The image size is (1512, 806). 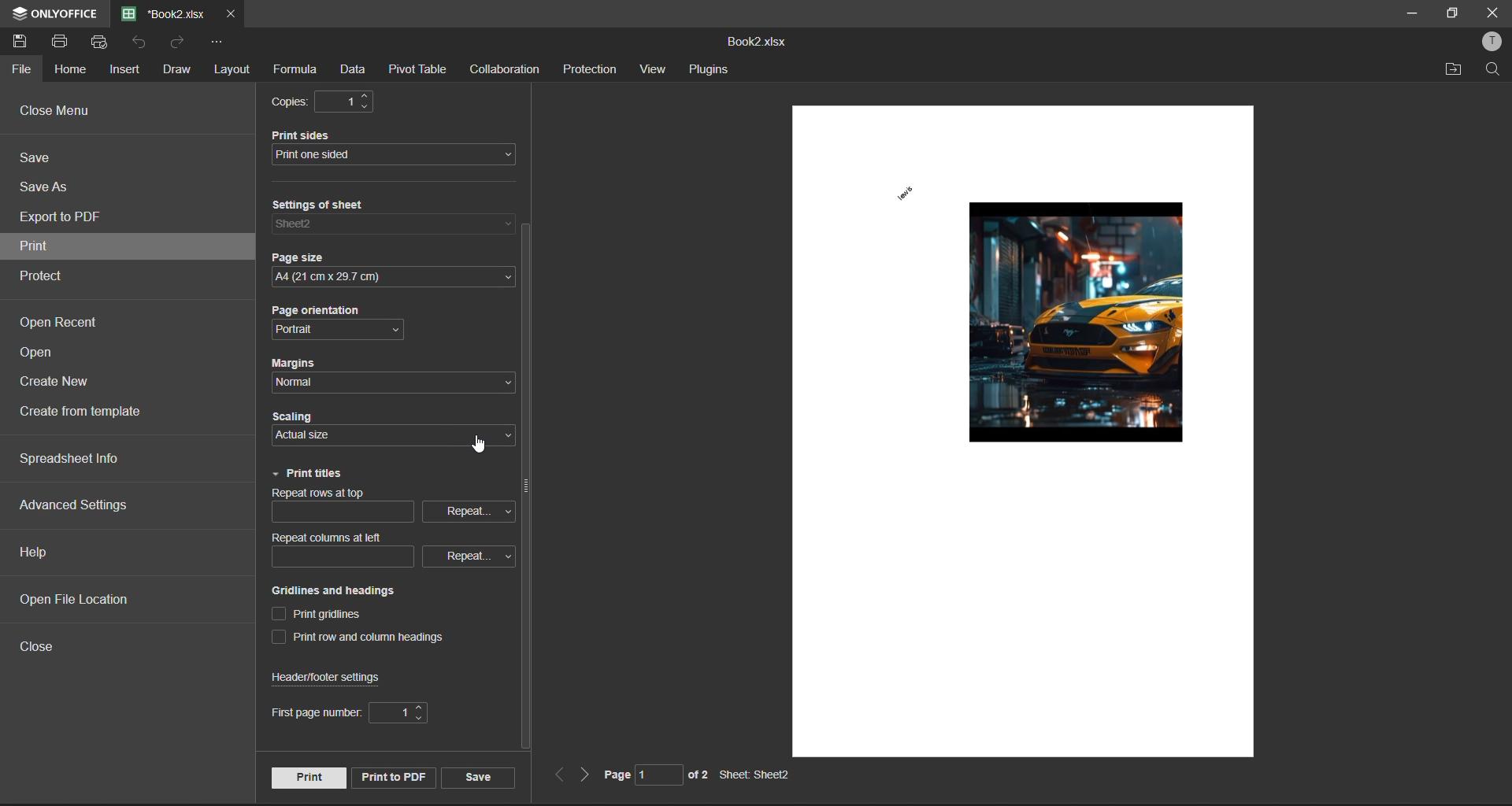 I want to click on 1, so click(x=397, y=714).